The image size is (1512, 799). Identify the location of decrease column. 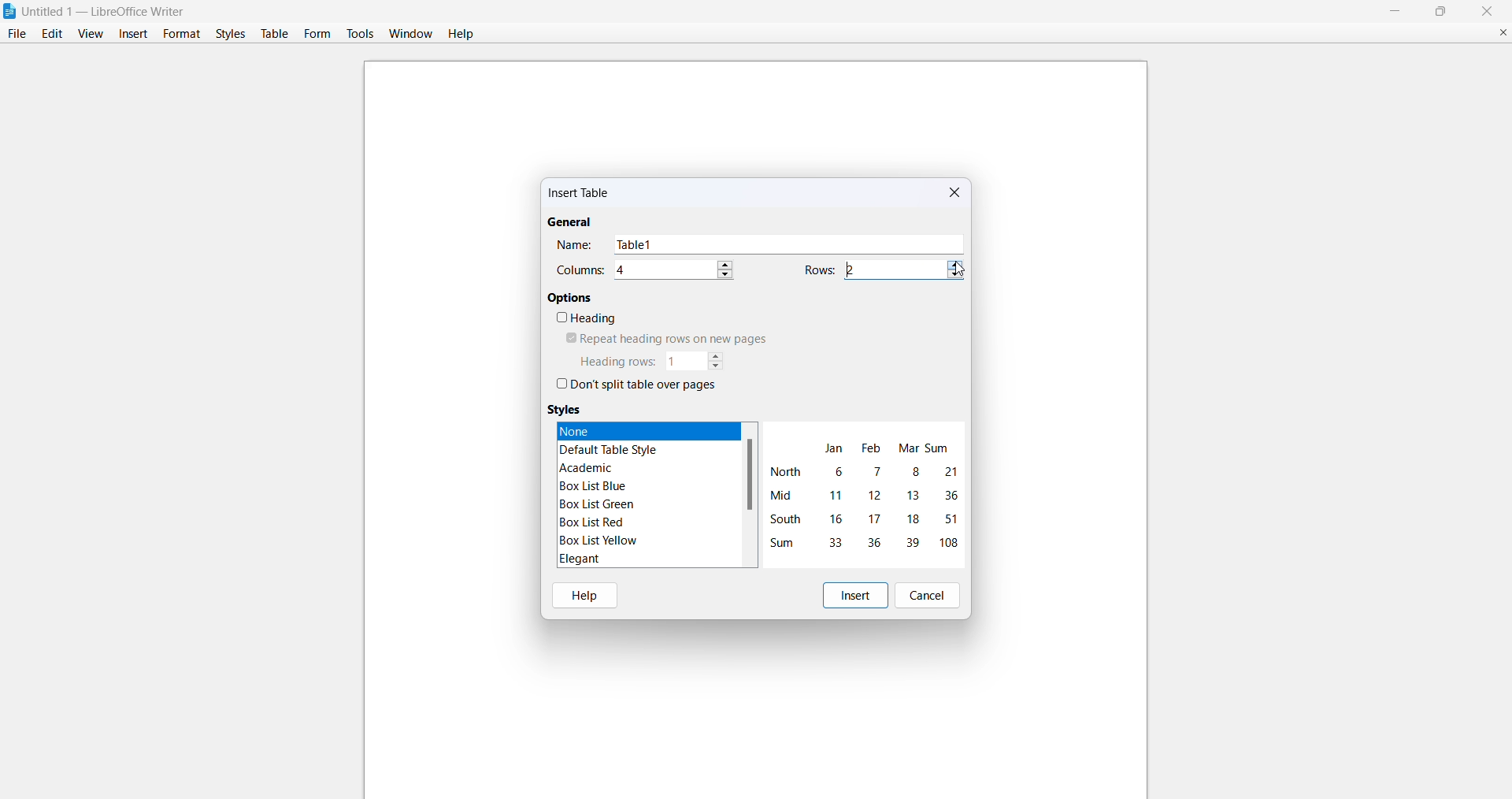
(727, 274).